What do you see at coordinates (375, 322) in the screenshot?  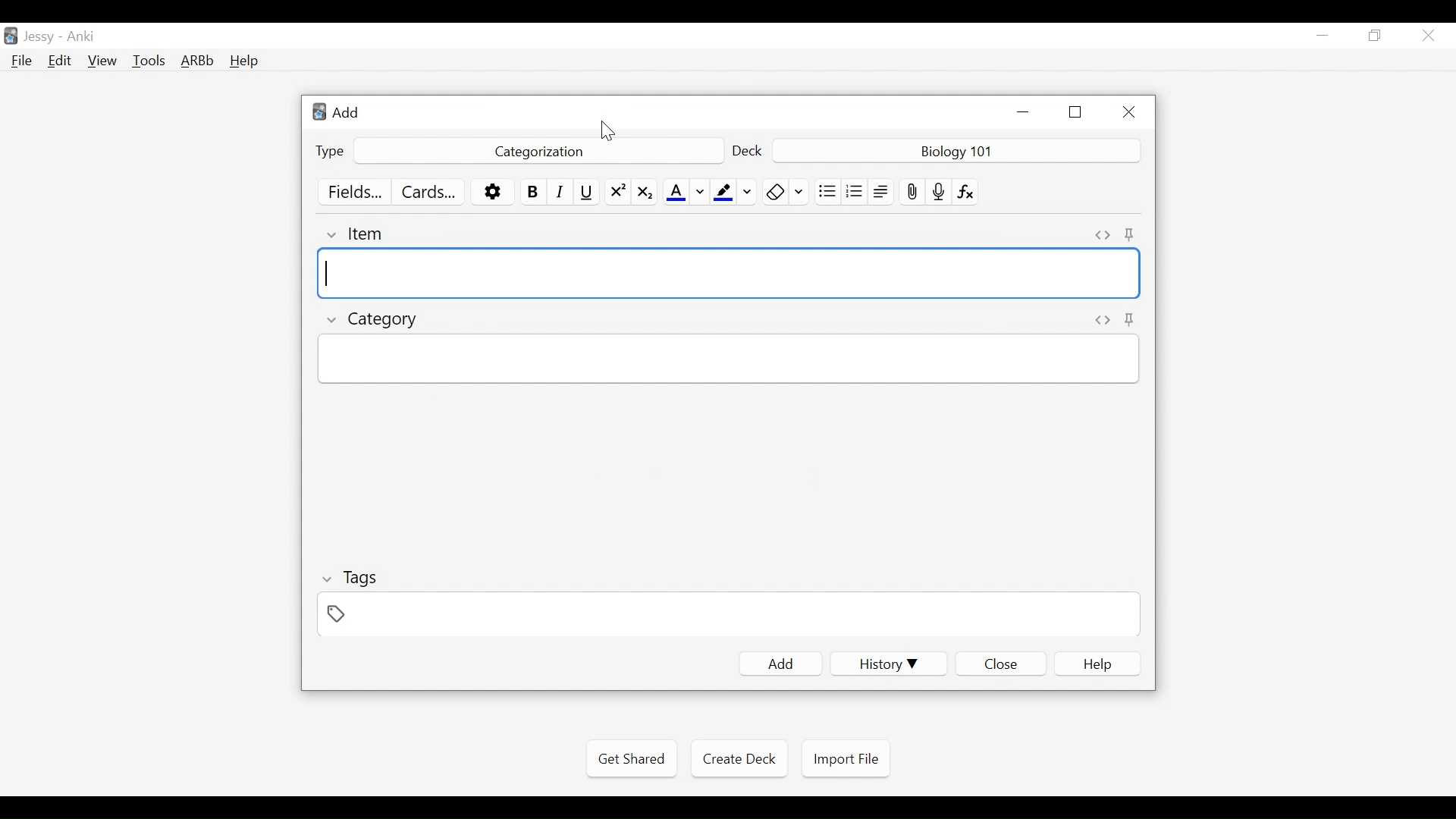 I see `Category` at bounding box center [375, 322].